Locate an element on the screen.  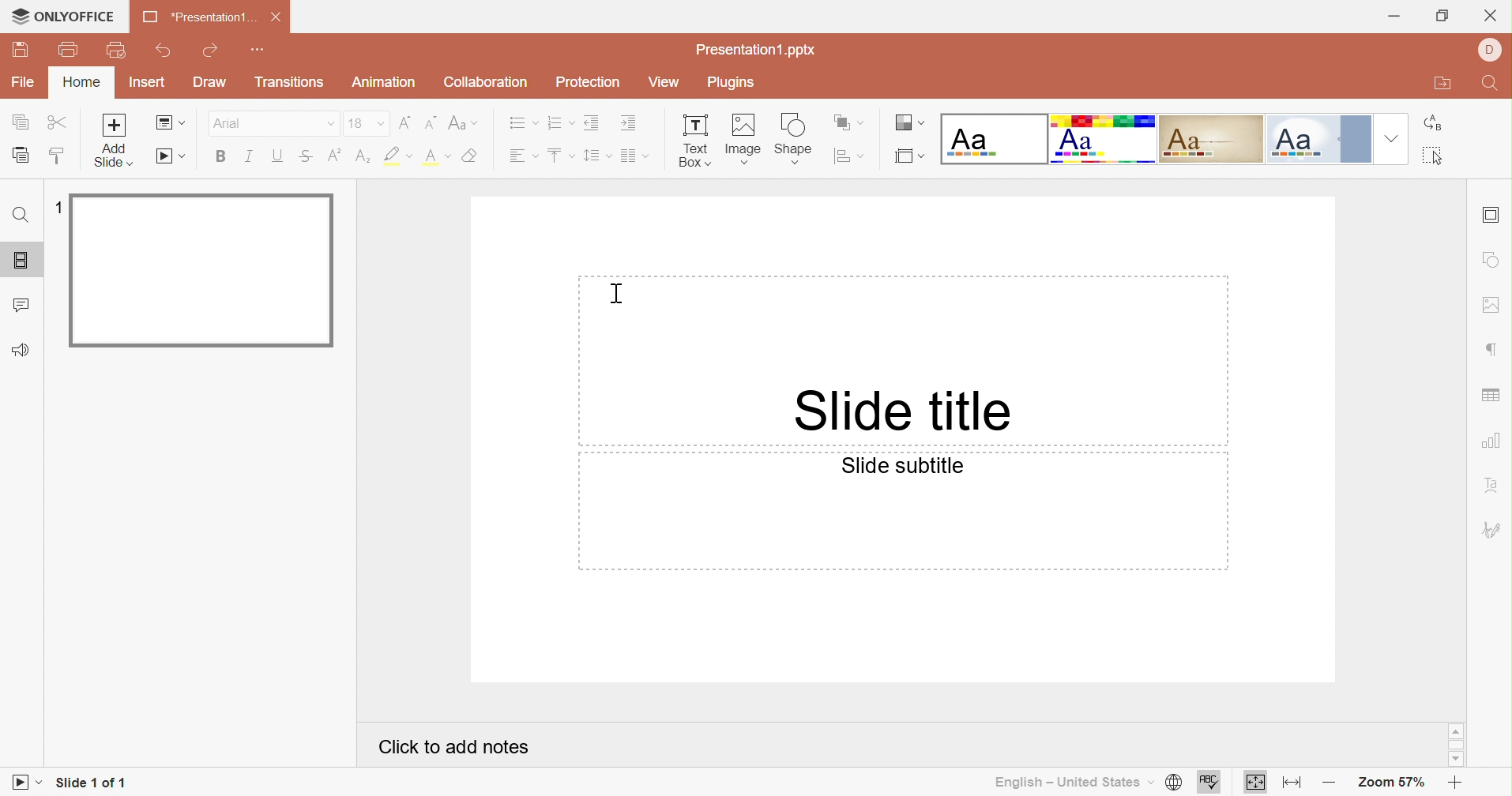
Select slide size is located at coordinates (912, 157).